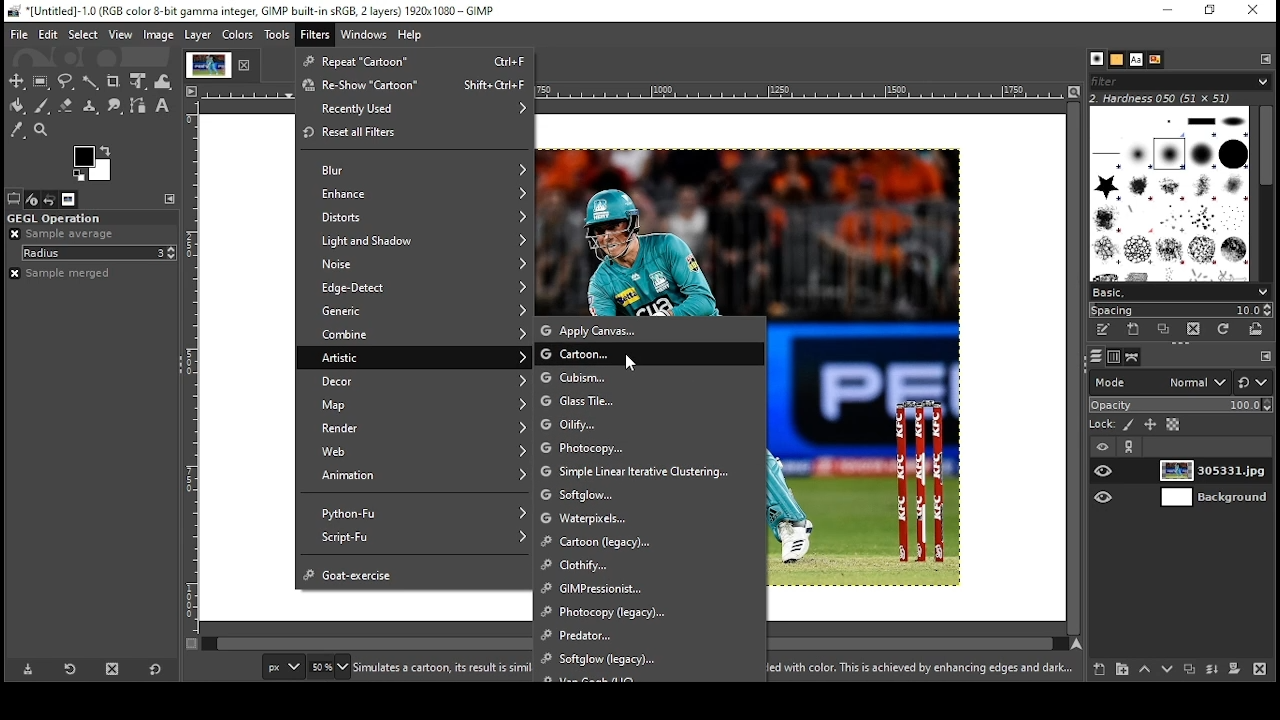  Describe the element at coordinates (1263, 59) in the screenshot. I see `configure this tab` at that location.